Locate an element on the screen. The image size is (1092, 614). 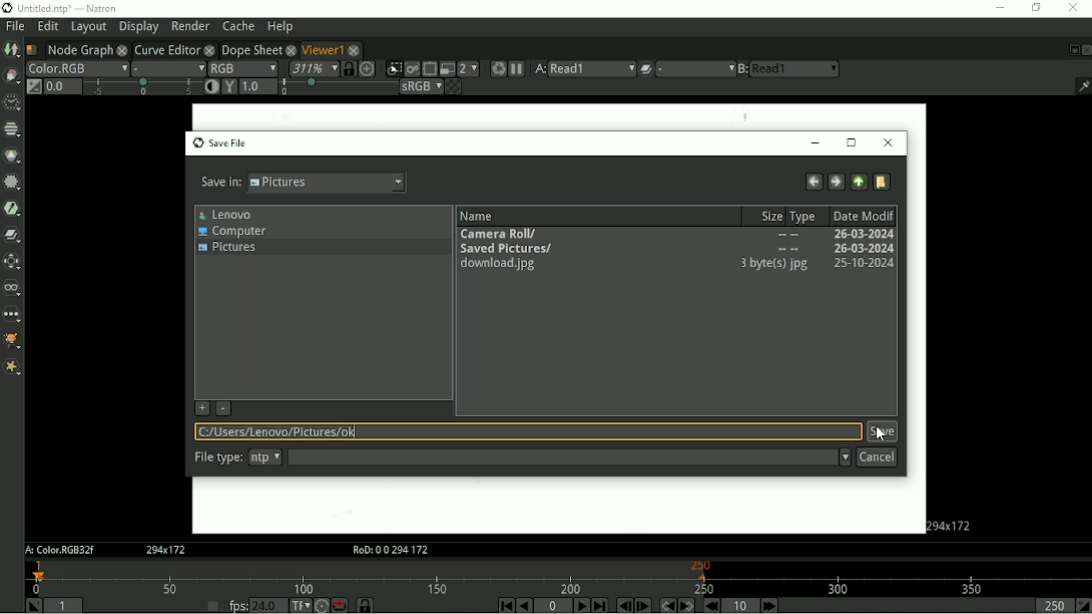
selection bar is located at coordinates (339, 87).